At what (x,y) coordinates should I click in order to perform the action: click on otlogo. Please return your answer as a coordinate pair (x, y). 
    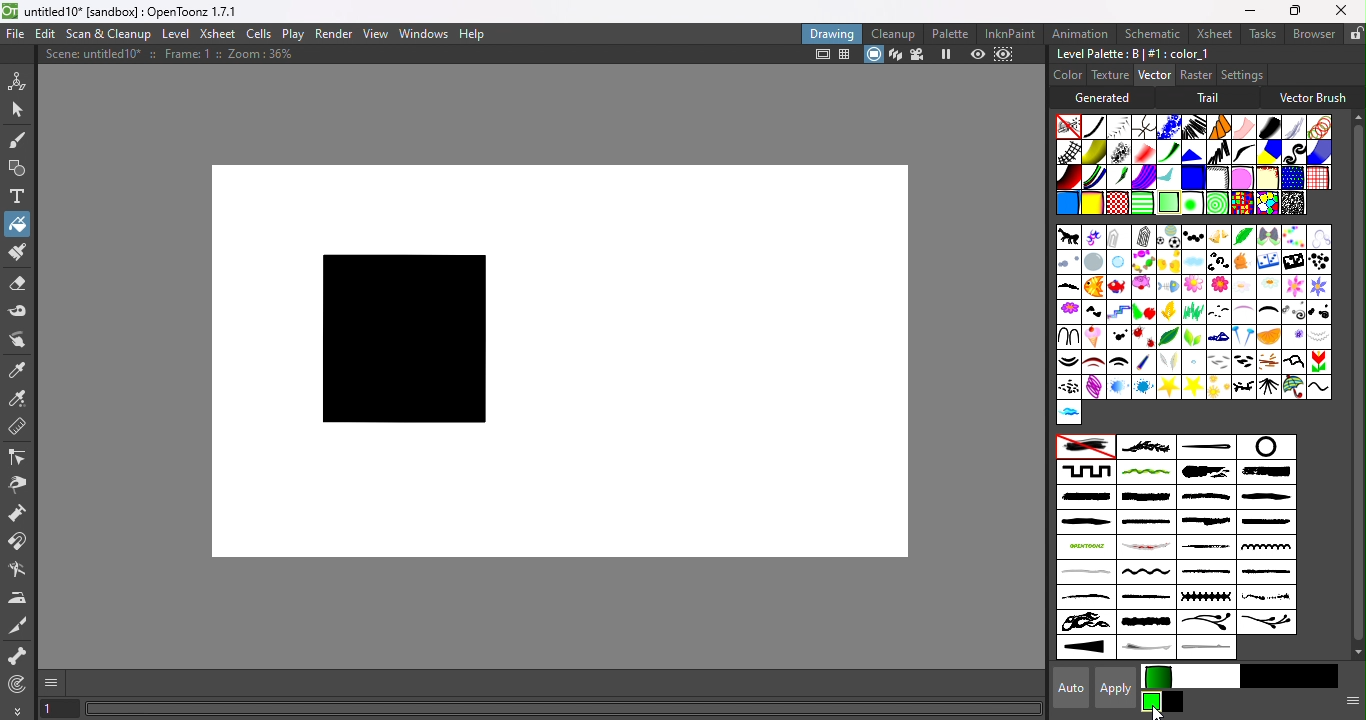
    Looking at the image, I should click on (1085, 546).